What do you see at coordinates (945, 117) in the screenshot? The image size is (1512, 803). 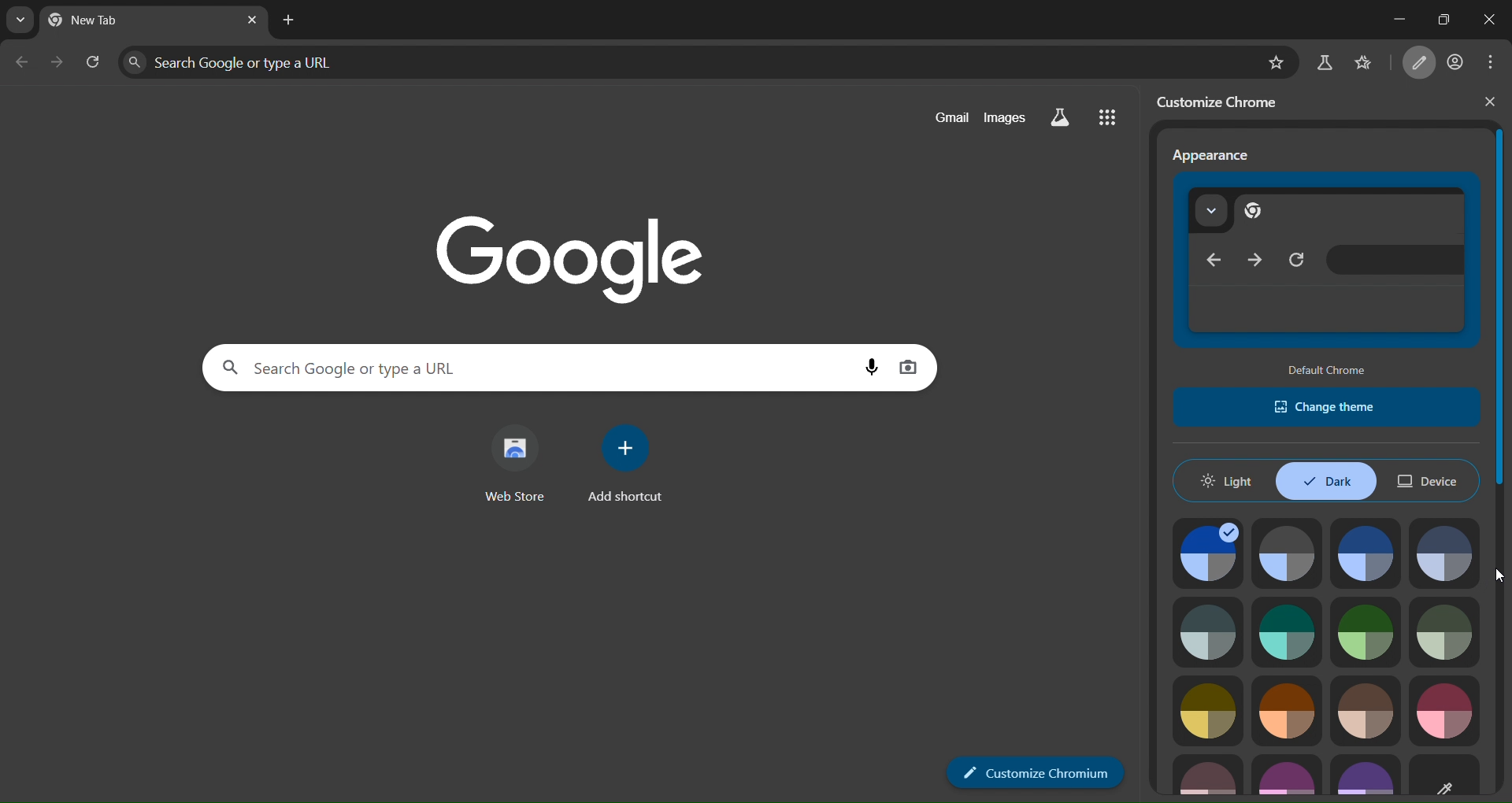 I see `gmail` at bounding box center [945, 117].